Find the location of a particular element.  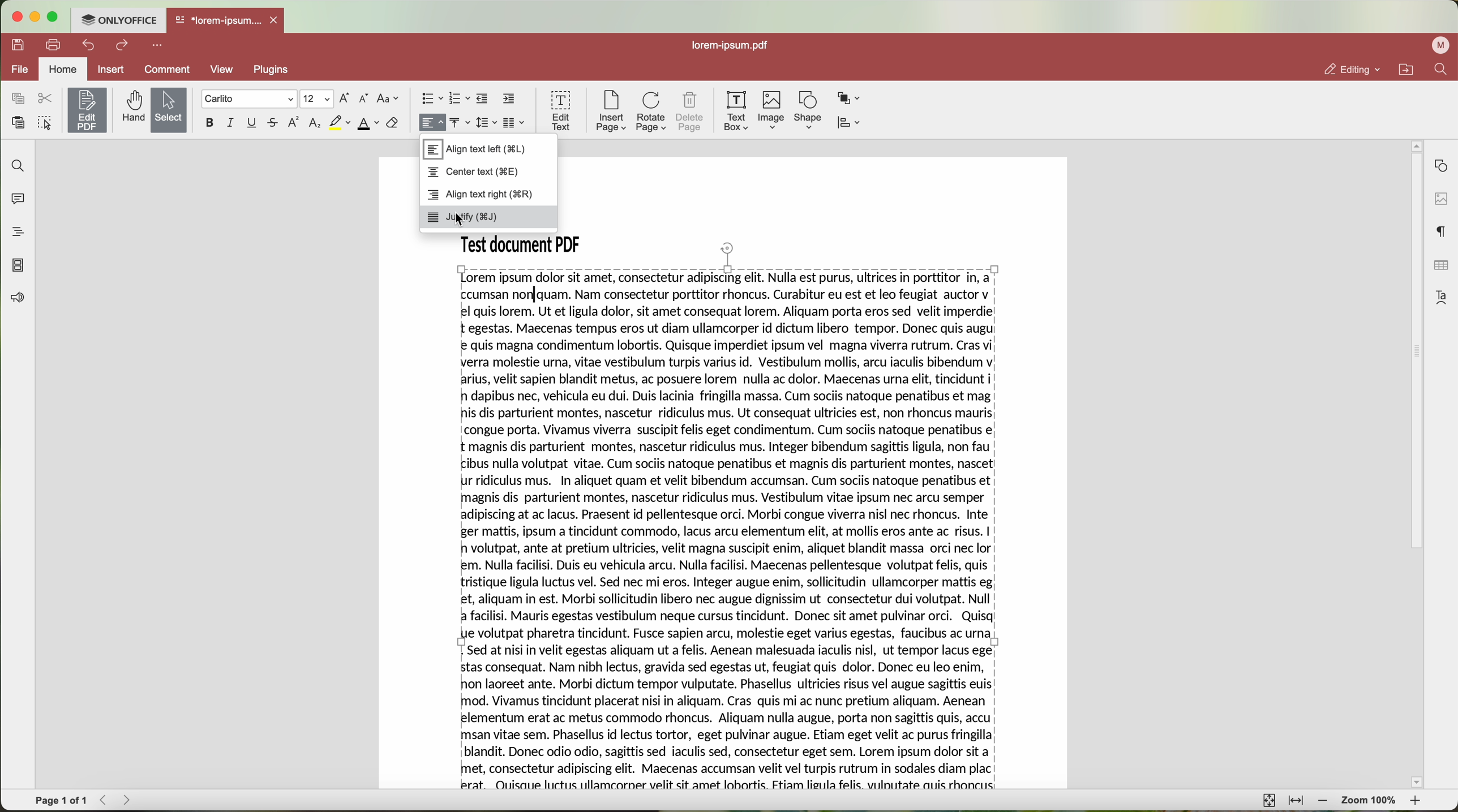

subscript is located at coordinates (316, 123).